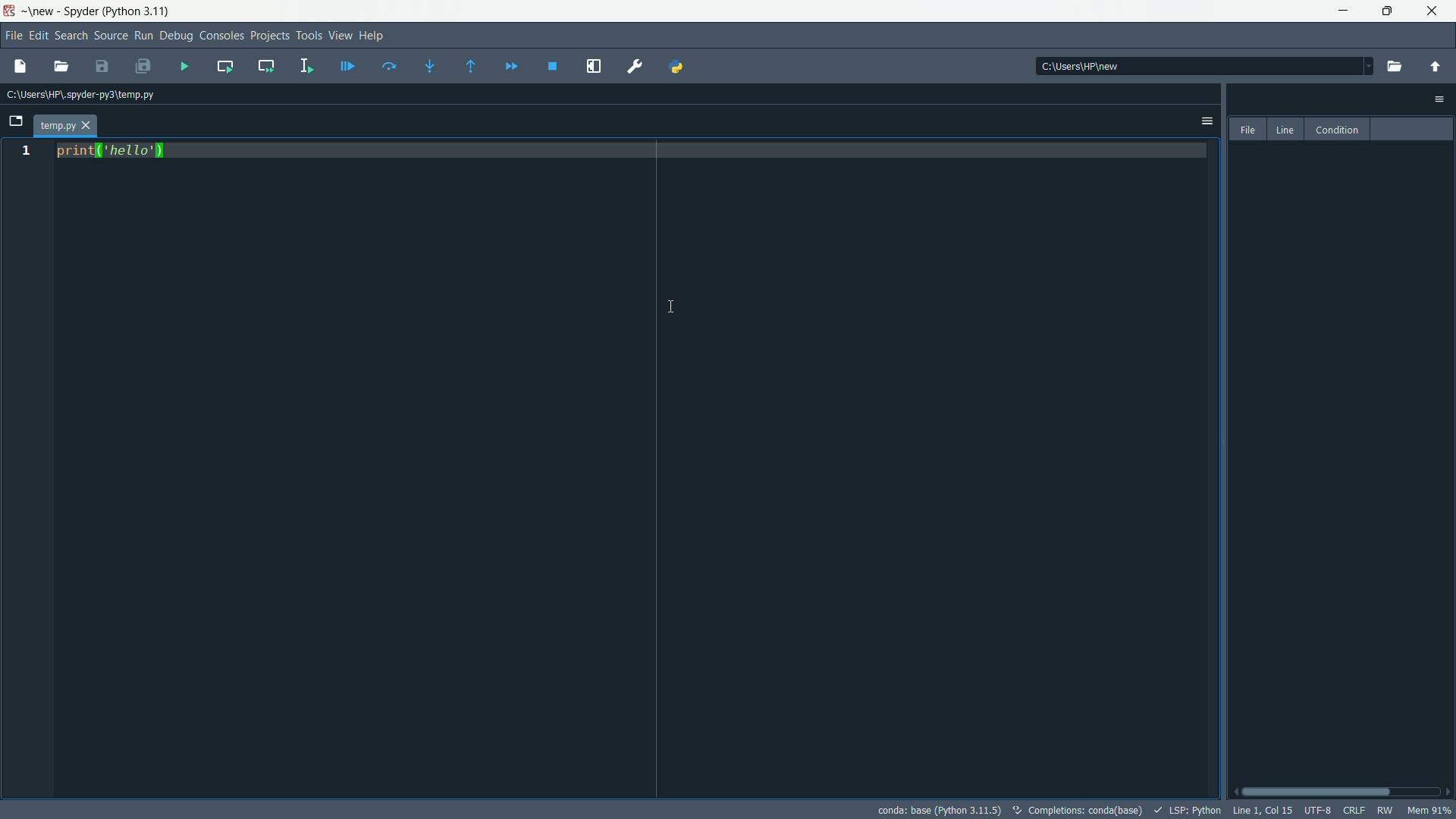 The width and height of the screenshot is (1456, 819). Describe the element at coordinates (111, 36) in the screenshot. I see `source menu` at that location.